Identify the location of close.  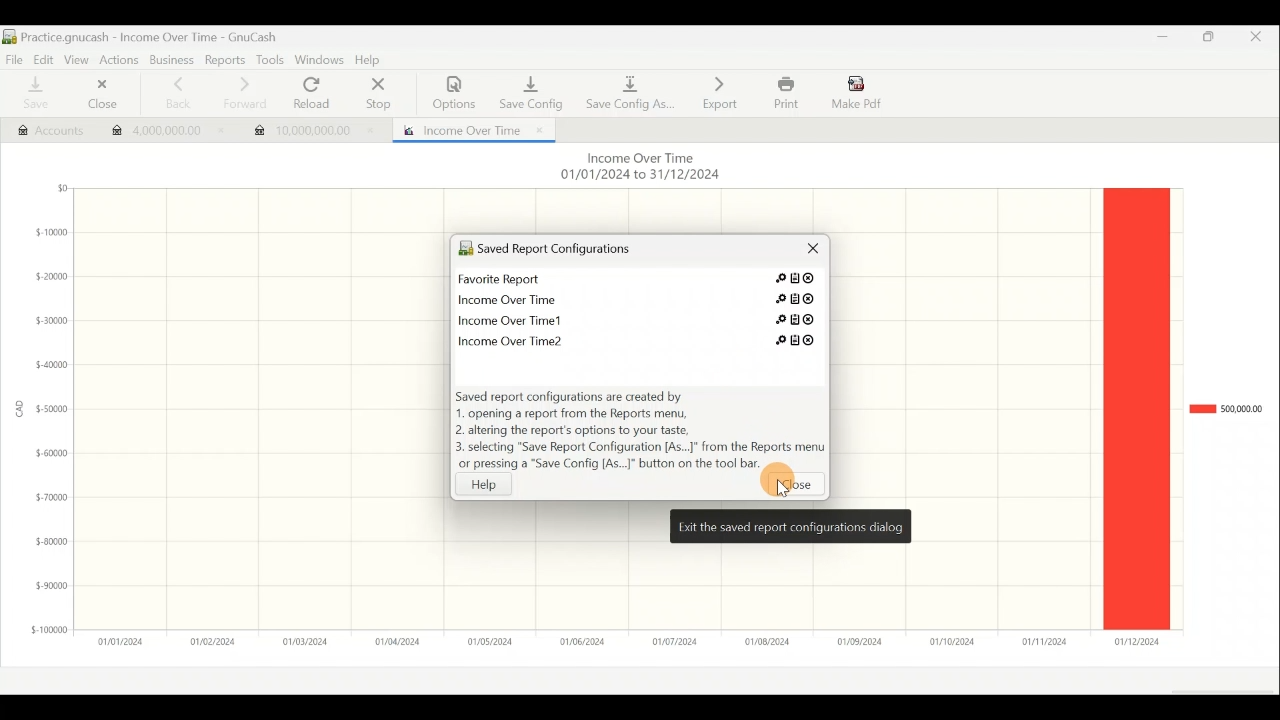
(795, 487).